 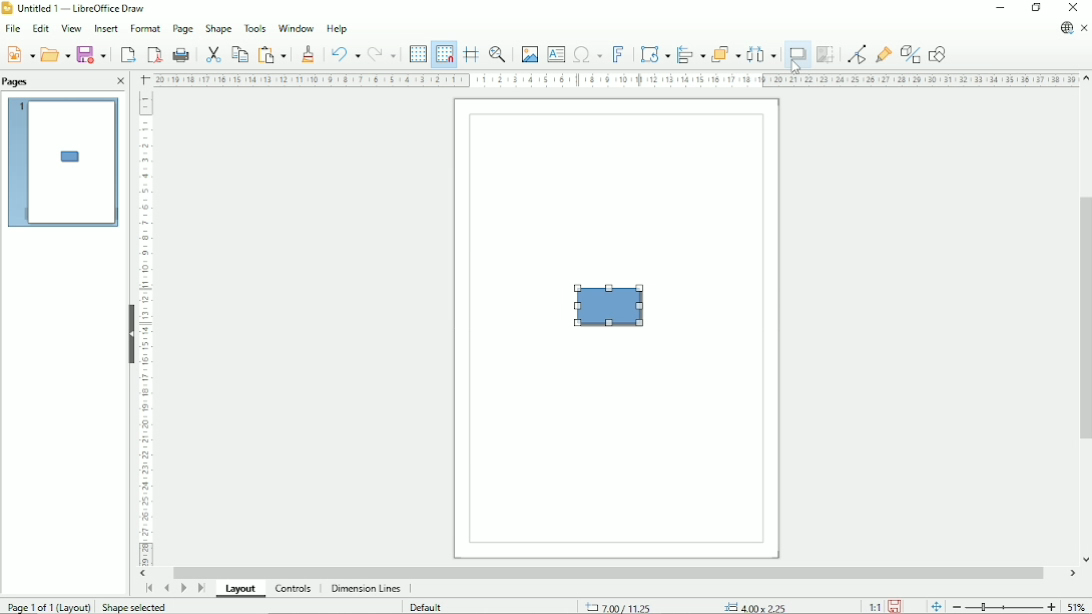 I want to click on Show/Hide, so click(x=132, y=332).